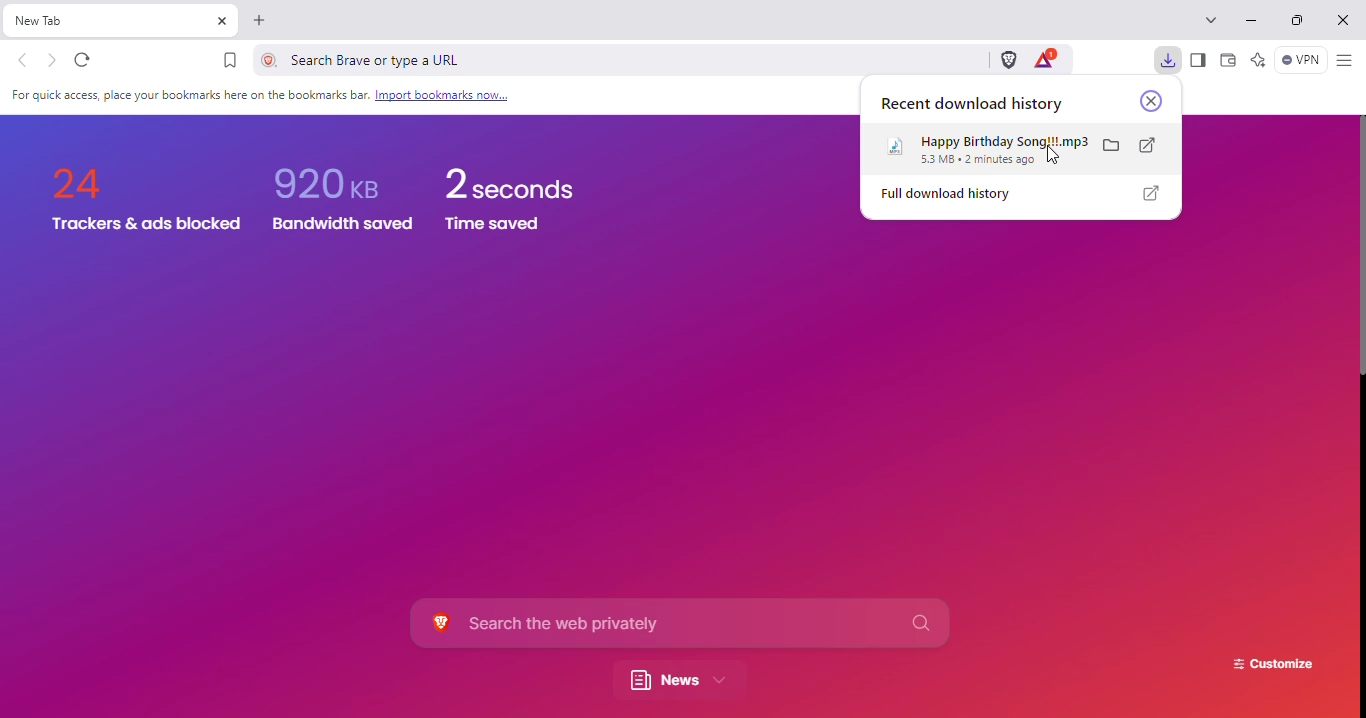 This screenshot has width=1366, height=718. I want to click on new tab, so click(260, 21).